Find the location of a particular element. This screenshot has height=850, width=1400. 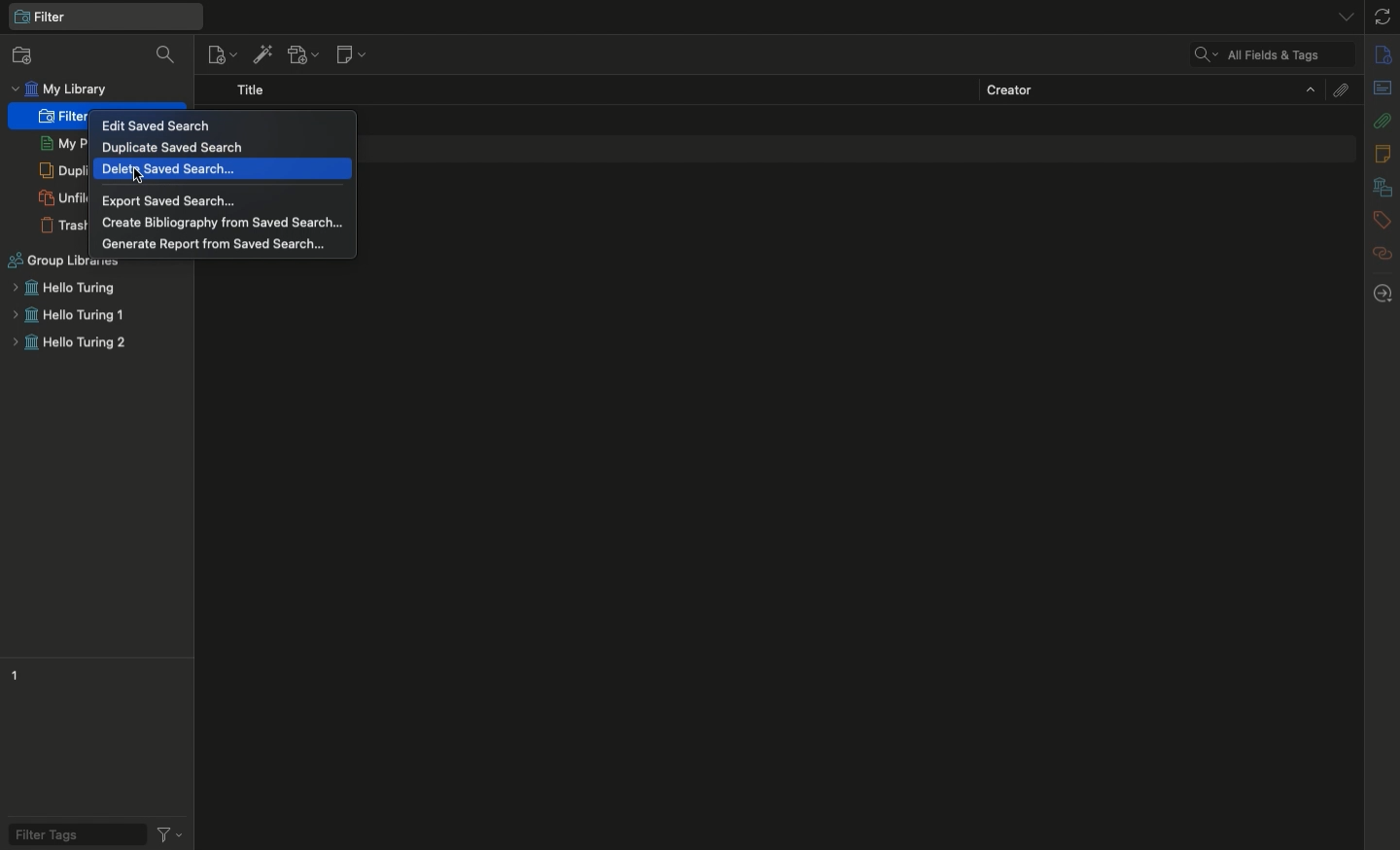

Export saved search is located at coordinates (173, 199).